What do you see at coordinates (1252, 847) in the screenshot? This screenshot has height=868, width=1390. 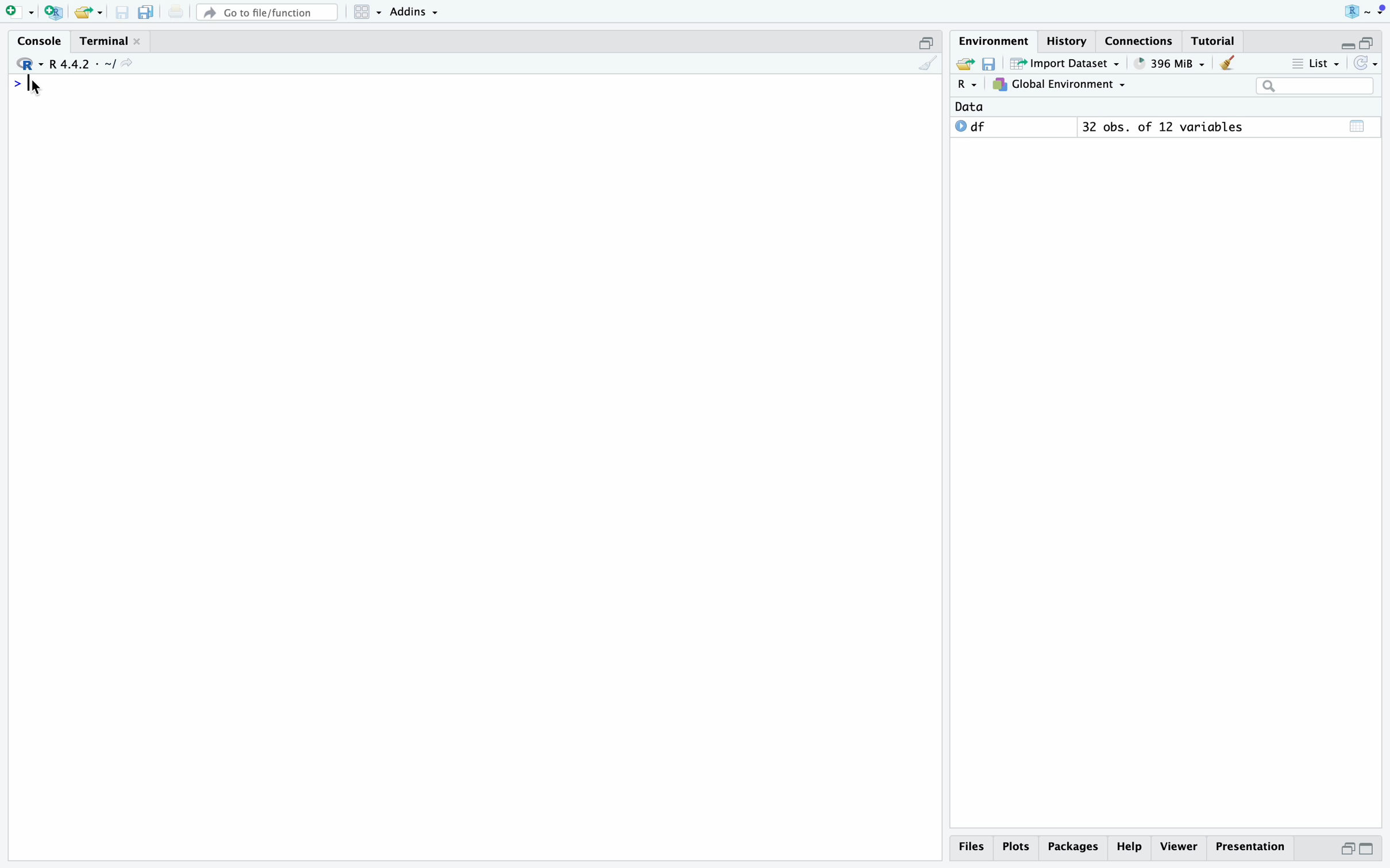 I see `Presentation ` at bounding box center [1252, 847].